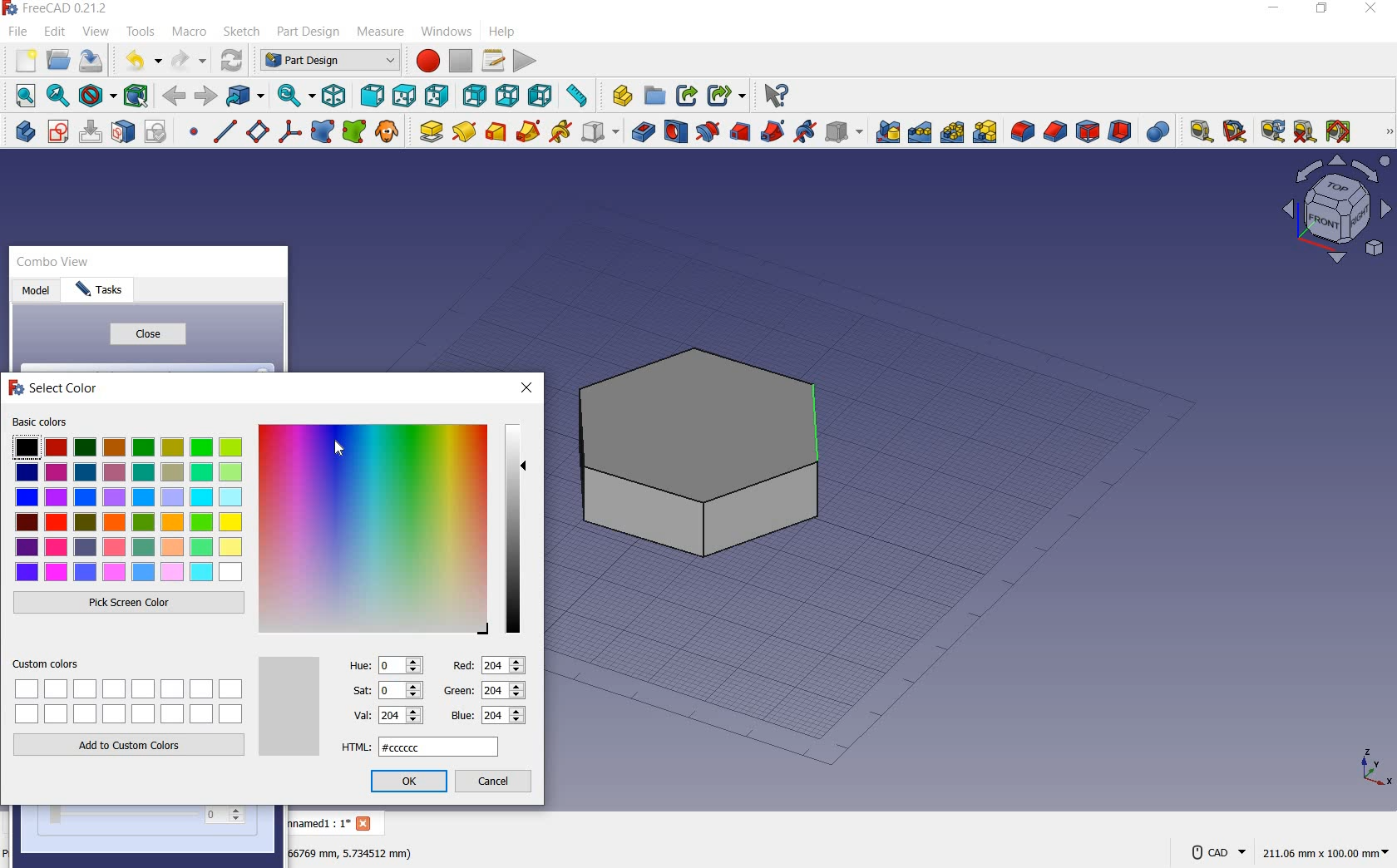 The height and width of the screenshot is (868, 1397). I want to click on additive loft, so click(496, 131).